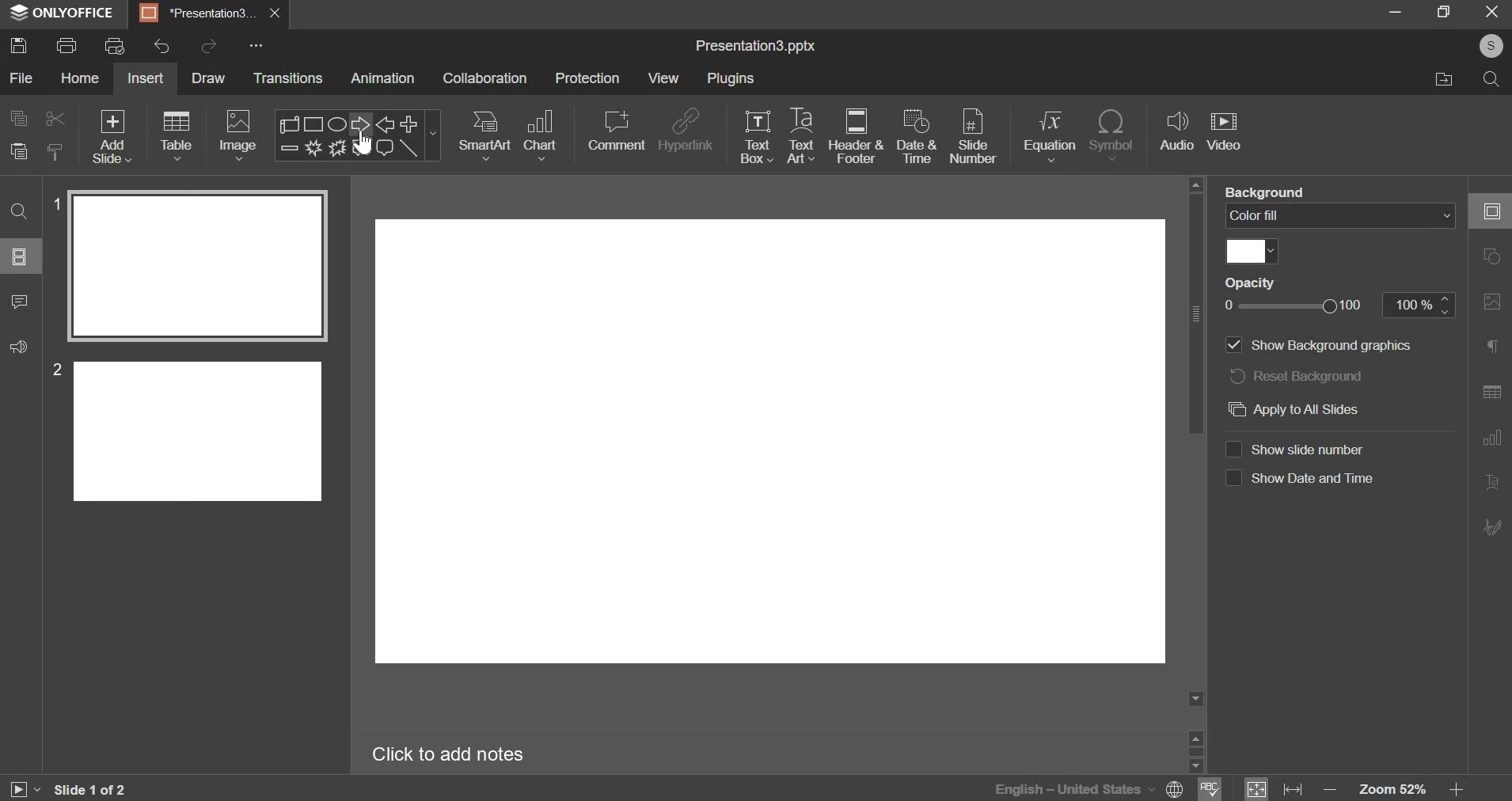  Describe the element at coordinates (542, 135) in the screenshot. I see `chart` at that location.